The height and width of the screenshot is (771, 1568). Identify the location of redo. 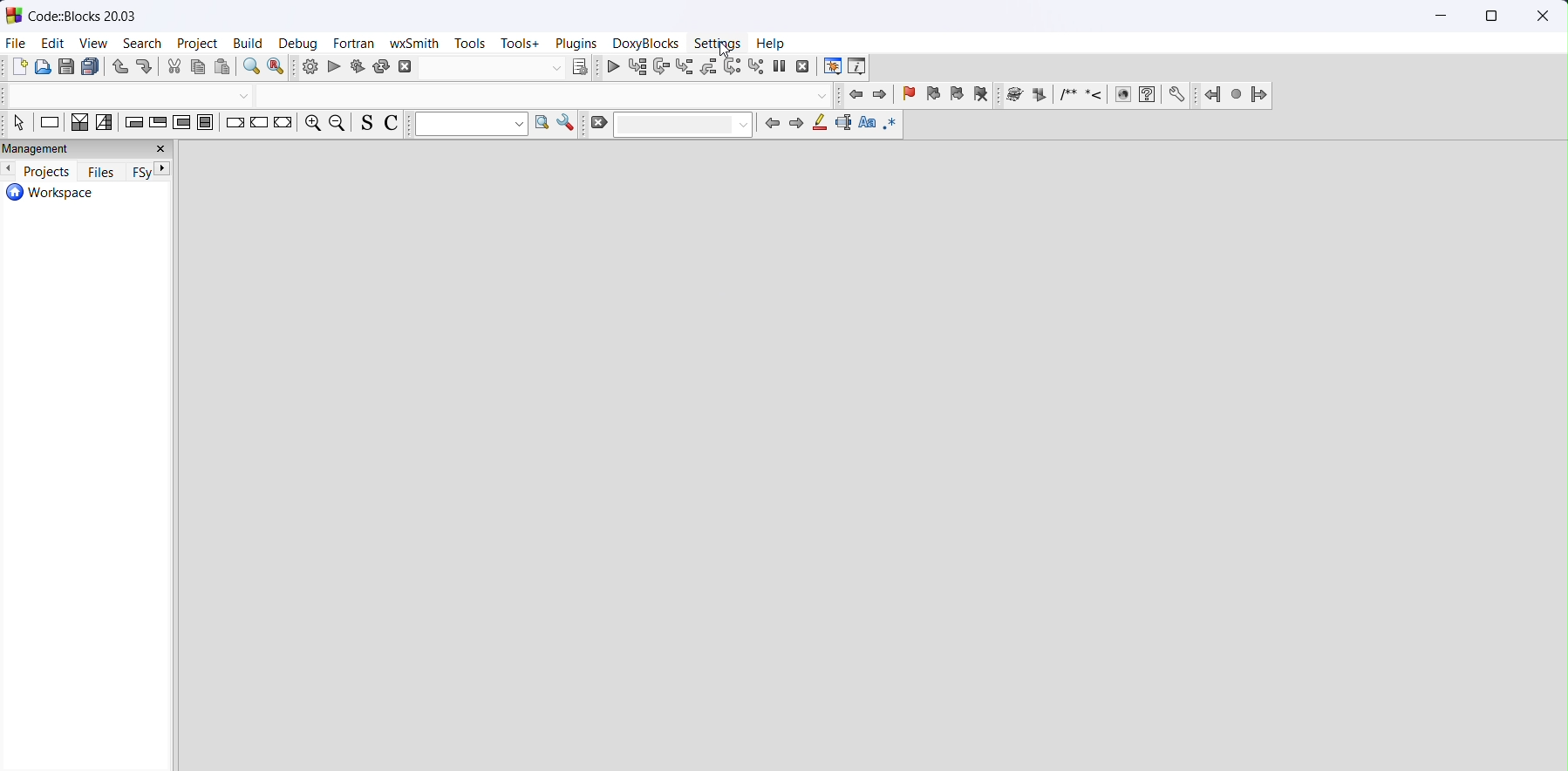
(144, 69).